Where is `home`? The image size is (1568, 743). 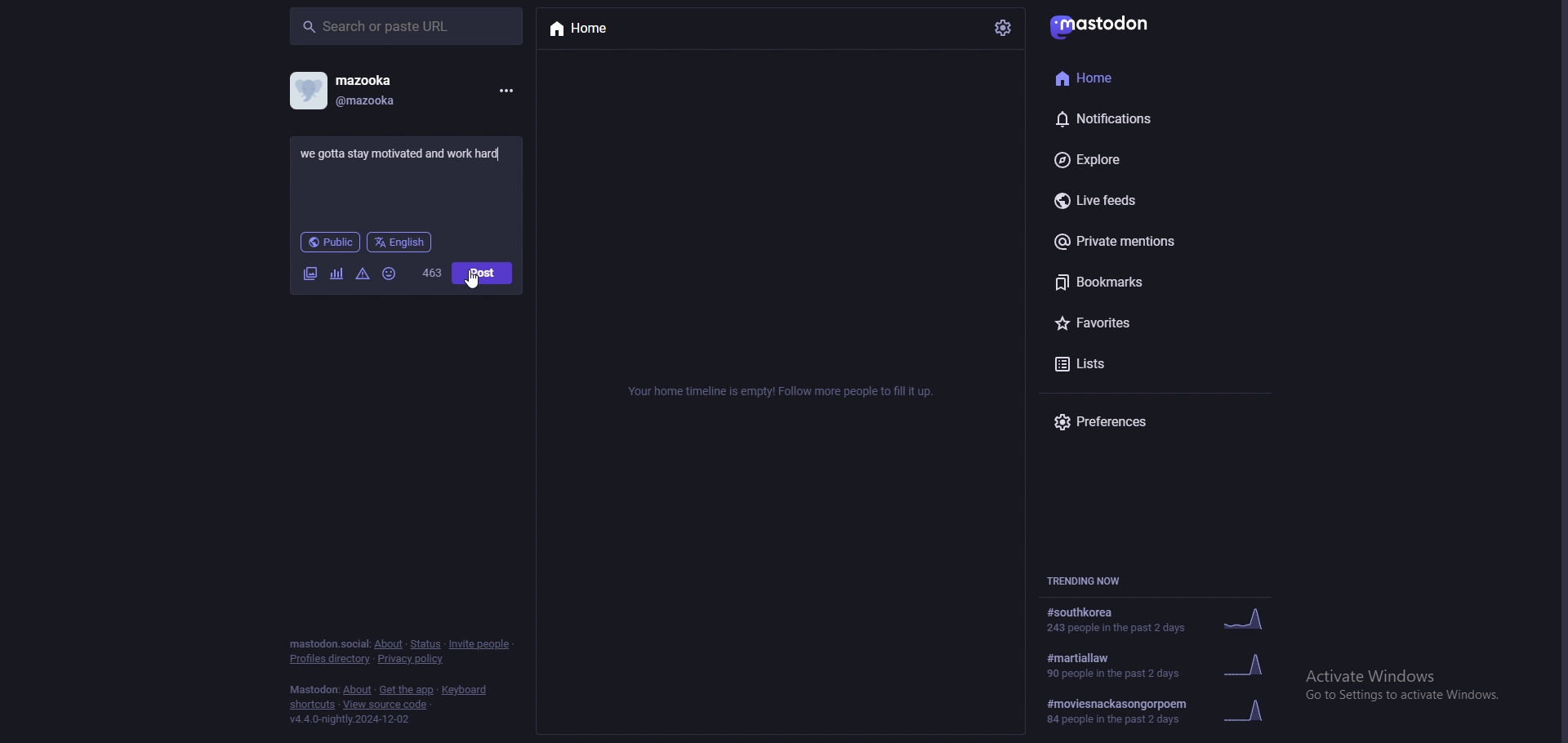
home is located at coordinates (1113, 78).